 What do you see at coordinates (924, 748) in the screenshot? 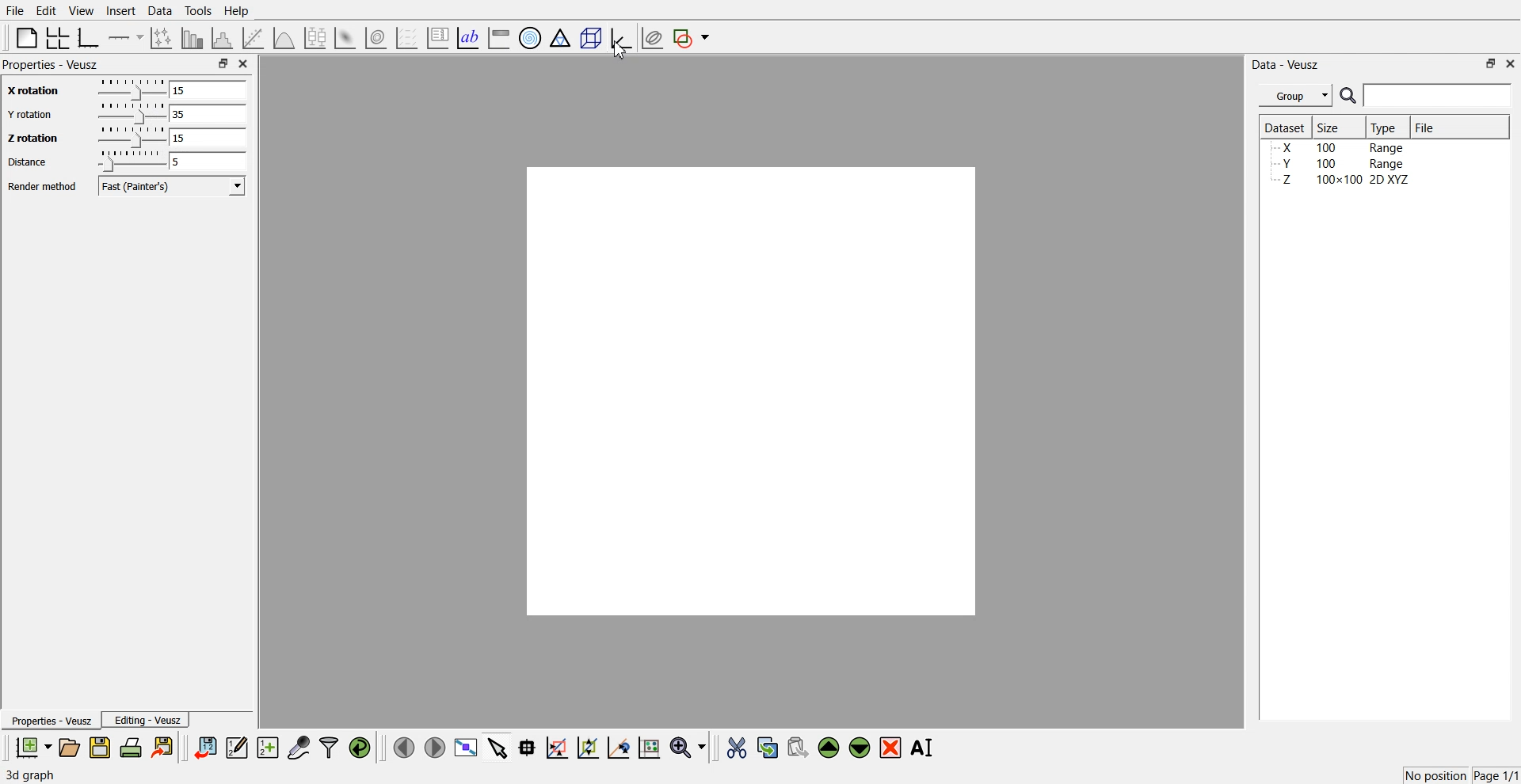
I see `Rename the selected widget` at bounding box center [924, 748].